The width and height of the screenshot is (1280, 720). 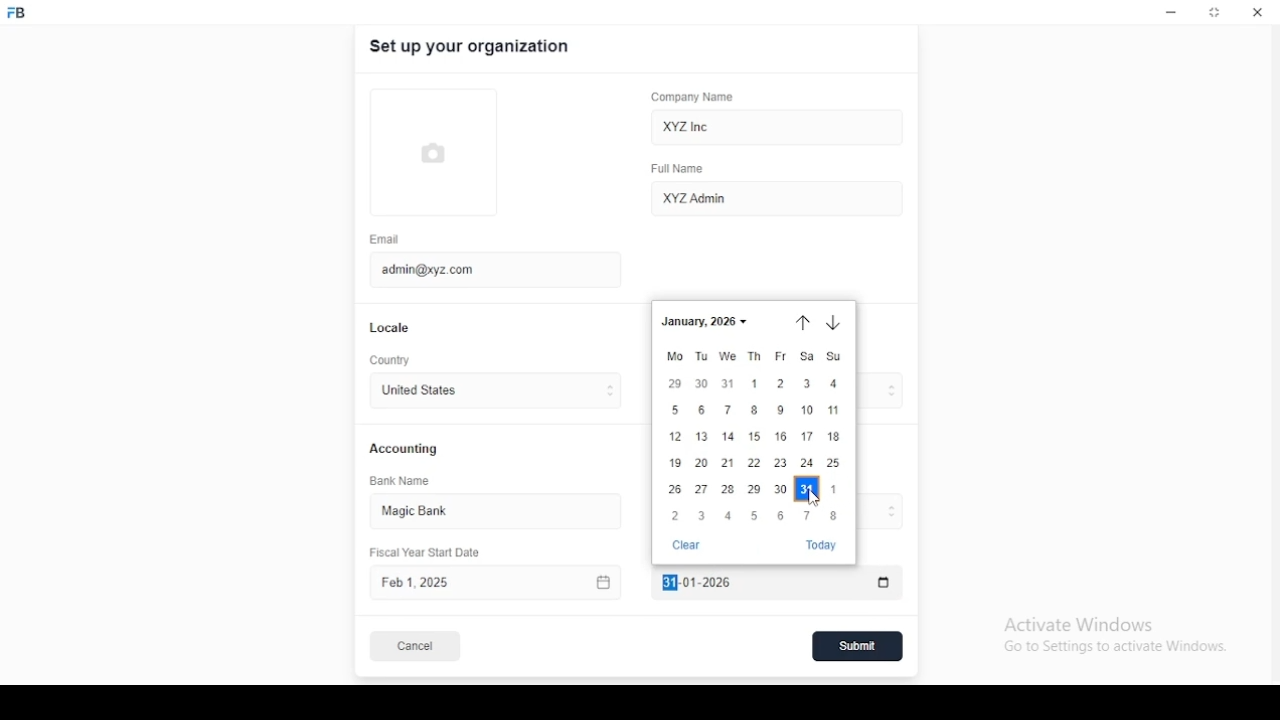 I want to click on 25, so click(x=836, y=465).